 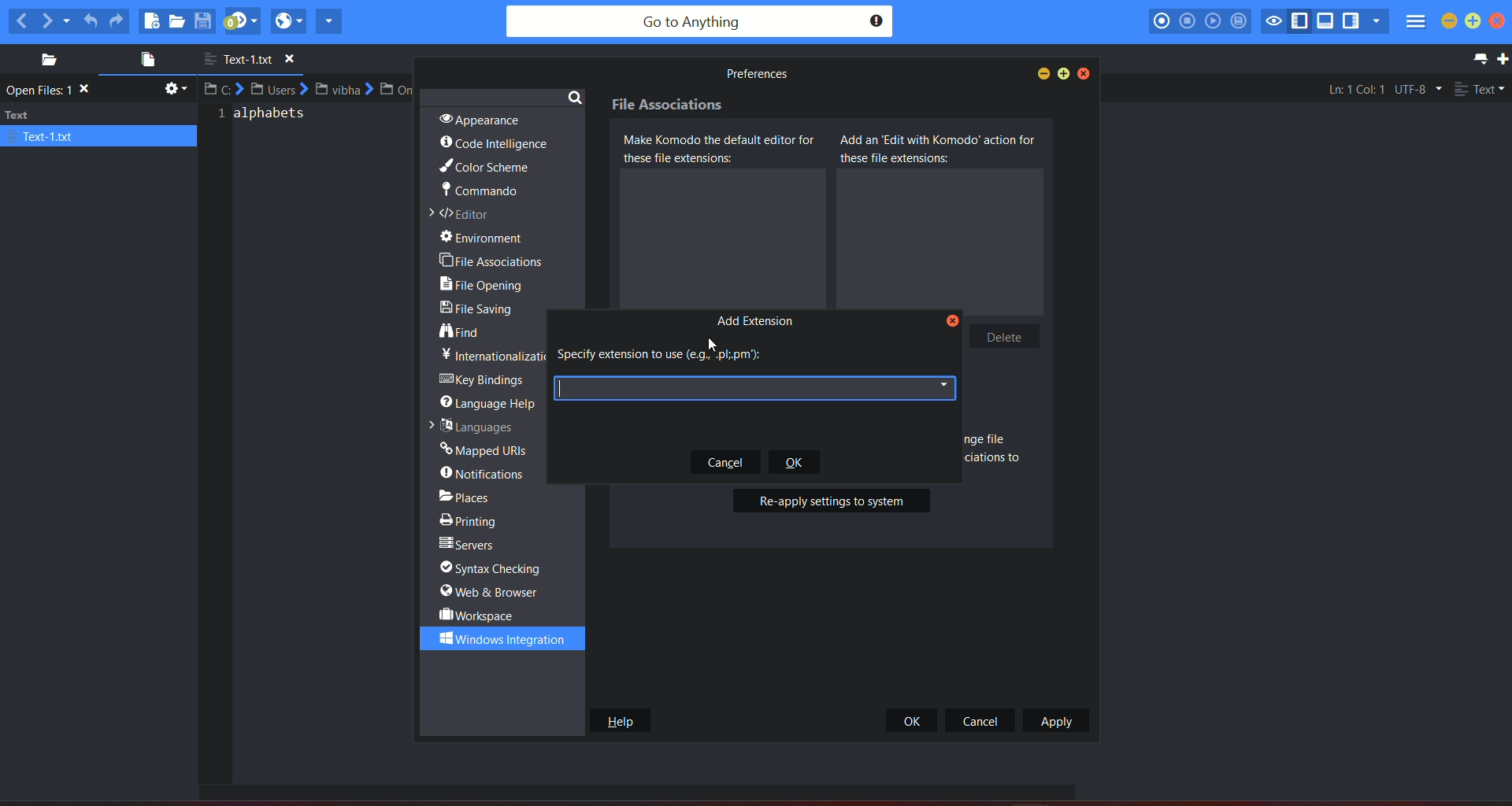 What do you see at coordinates (1065, 73) in the screenshot?
I see `maximize` at bounding box center [1065, 73].